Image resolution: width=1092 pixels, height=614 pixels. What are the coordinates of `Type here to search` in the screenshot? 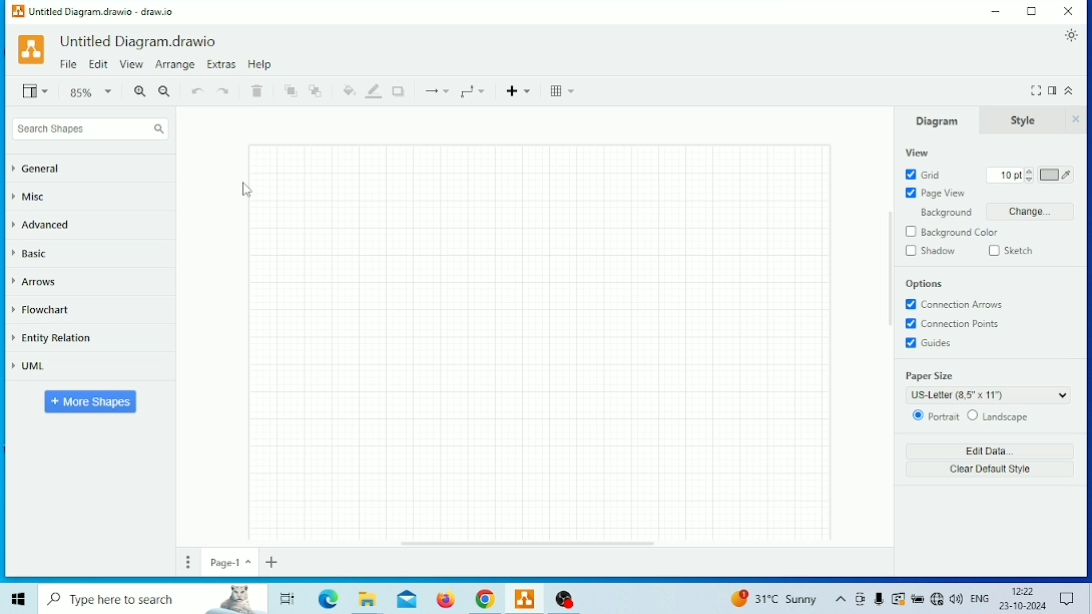 It's located at (154, 599).